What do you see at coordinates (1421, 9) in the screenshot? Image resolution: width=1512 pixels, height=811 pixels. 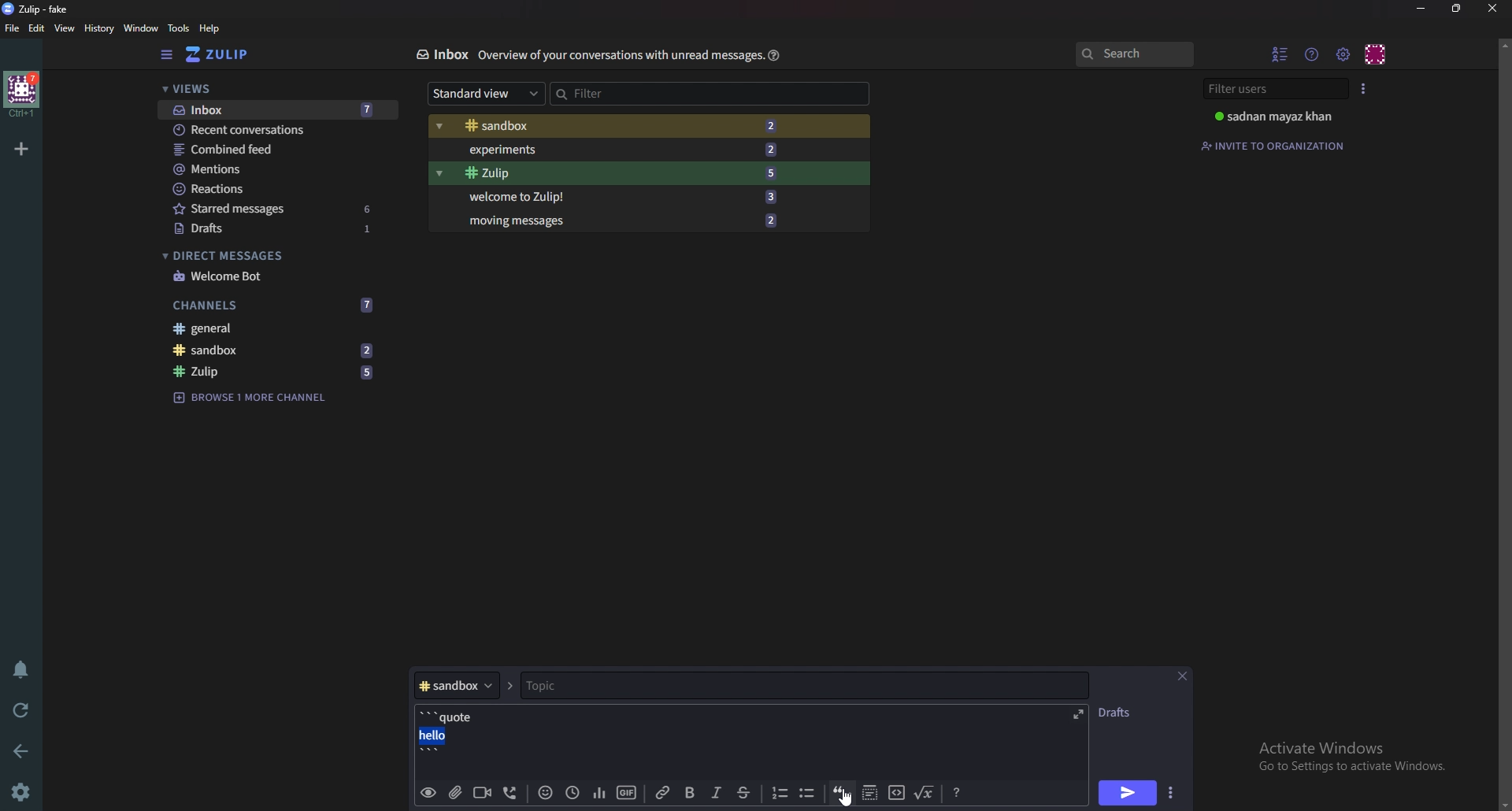 I see `Minimize` at bounding box center [1421, 9].